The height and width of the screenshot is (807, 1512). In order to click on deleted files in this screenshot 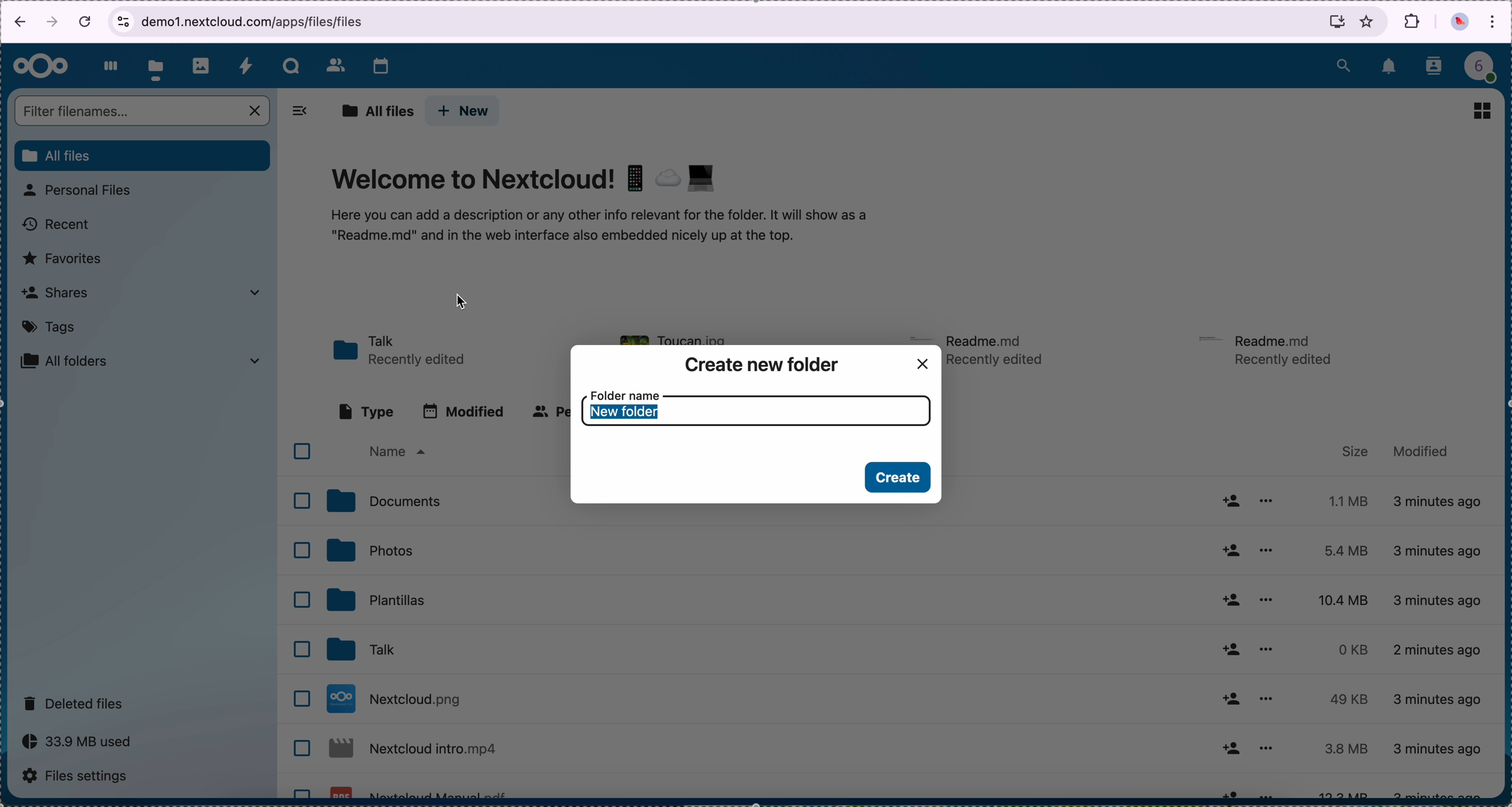, I will do `click(76, 703)`.